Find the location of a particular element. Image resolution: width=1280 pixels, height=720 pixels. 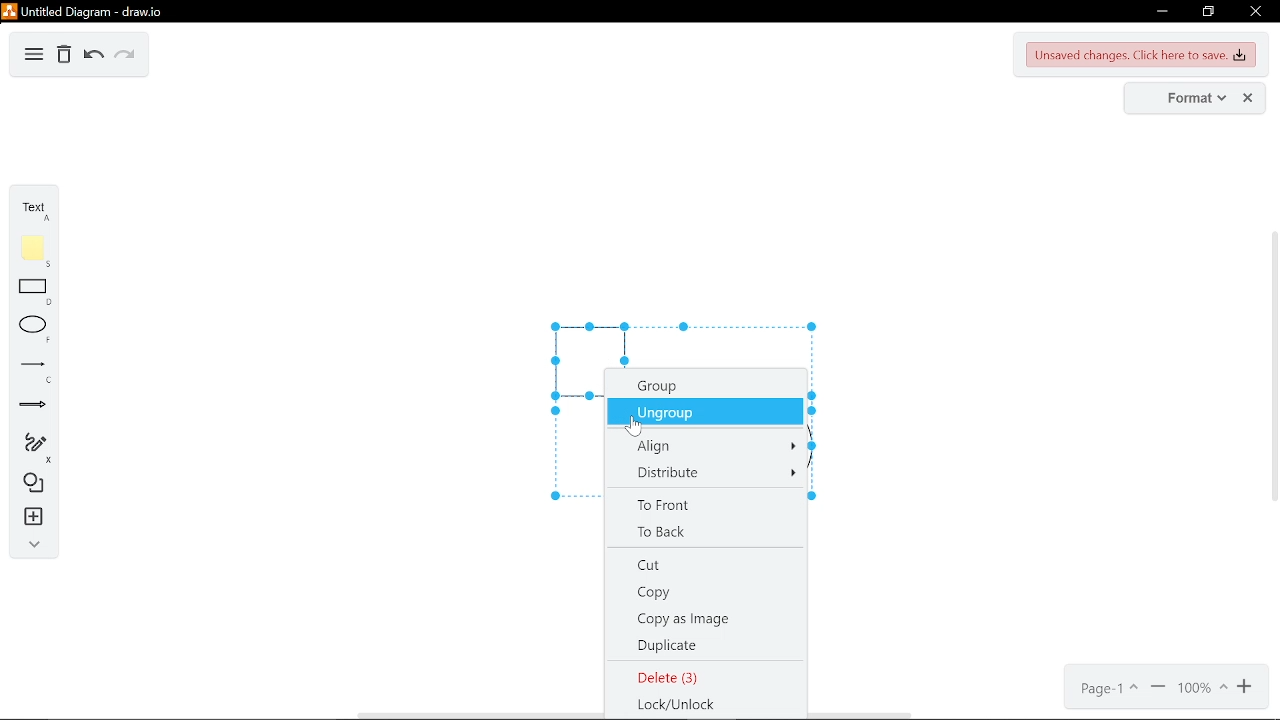

note is located at coordinates (31, 252).